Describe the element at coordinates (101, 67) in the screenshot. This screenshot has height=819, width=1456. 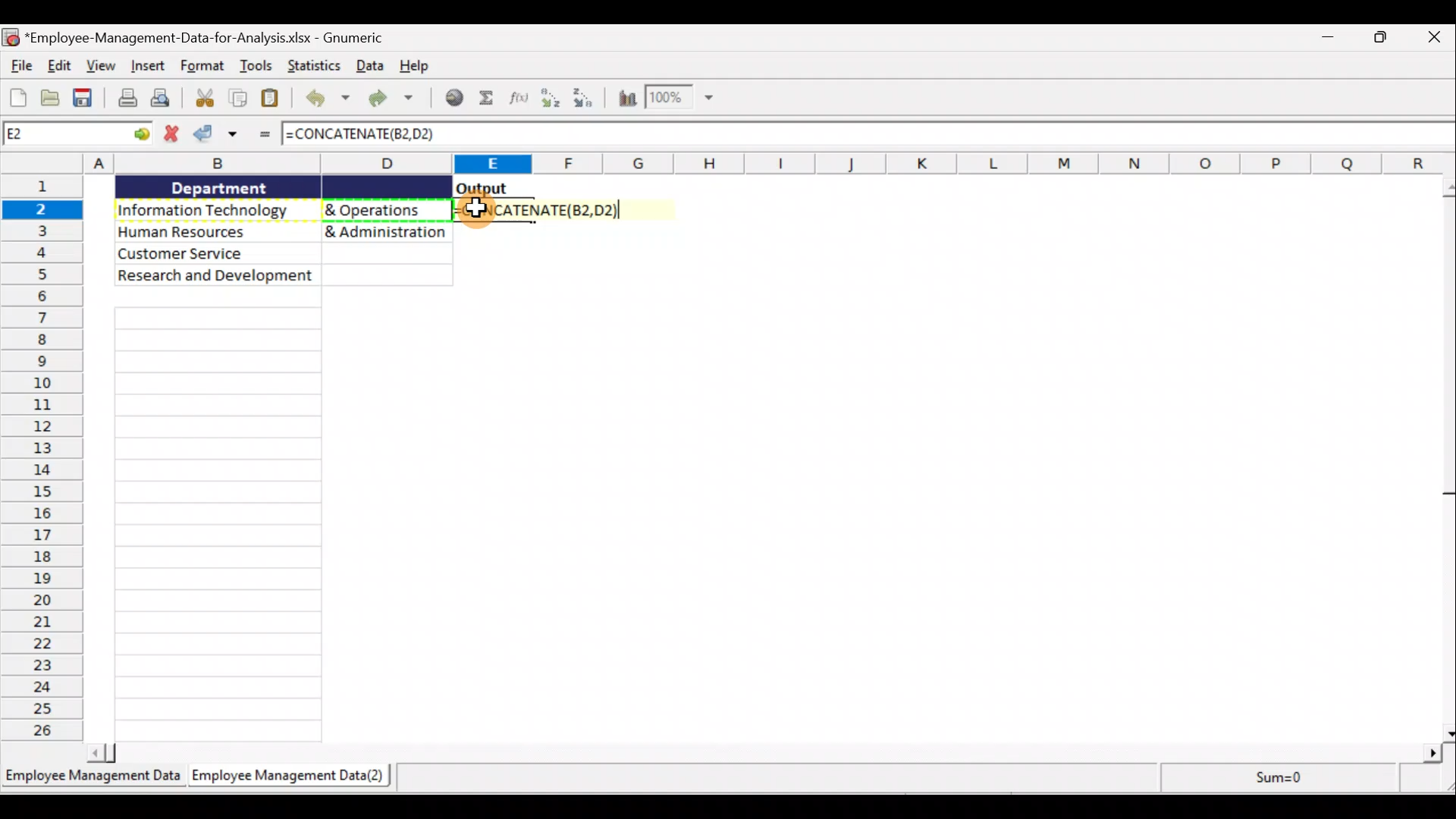
I see `View` at that location.